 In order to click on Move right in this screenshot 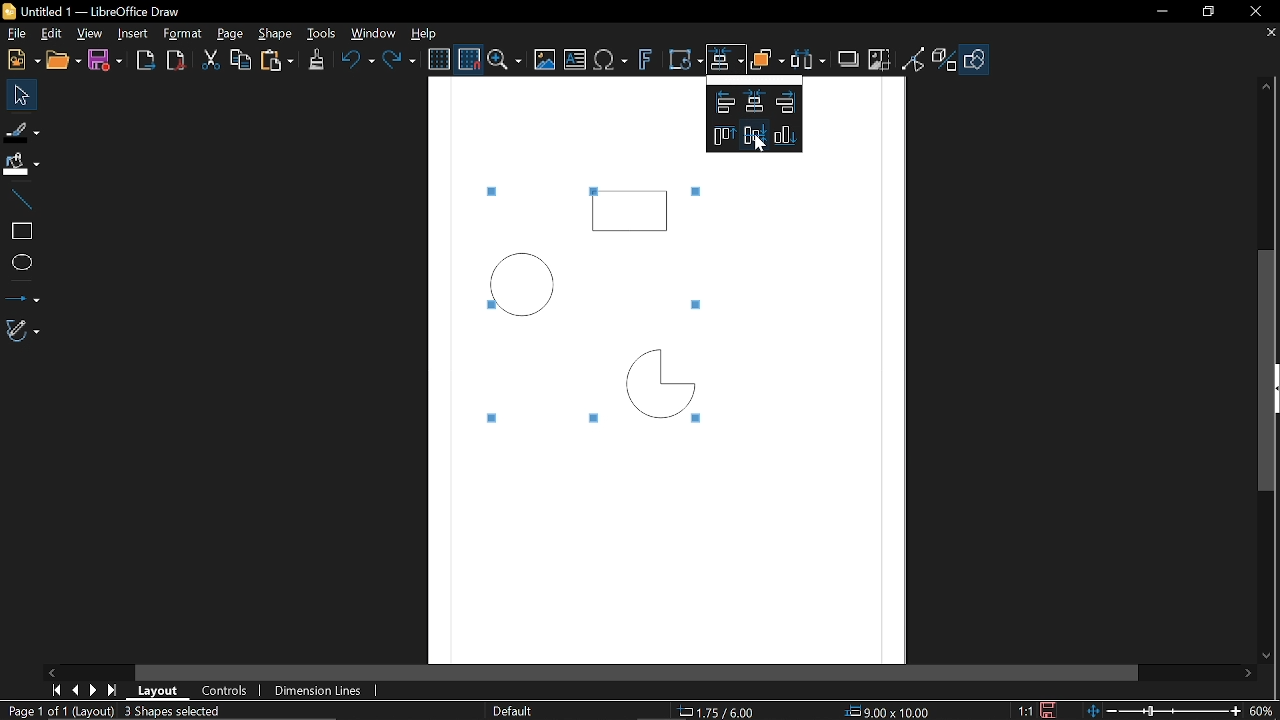, I will do `click(1248, 676)`.